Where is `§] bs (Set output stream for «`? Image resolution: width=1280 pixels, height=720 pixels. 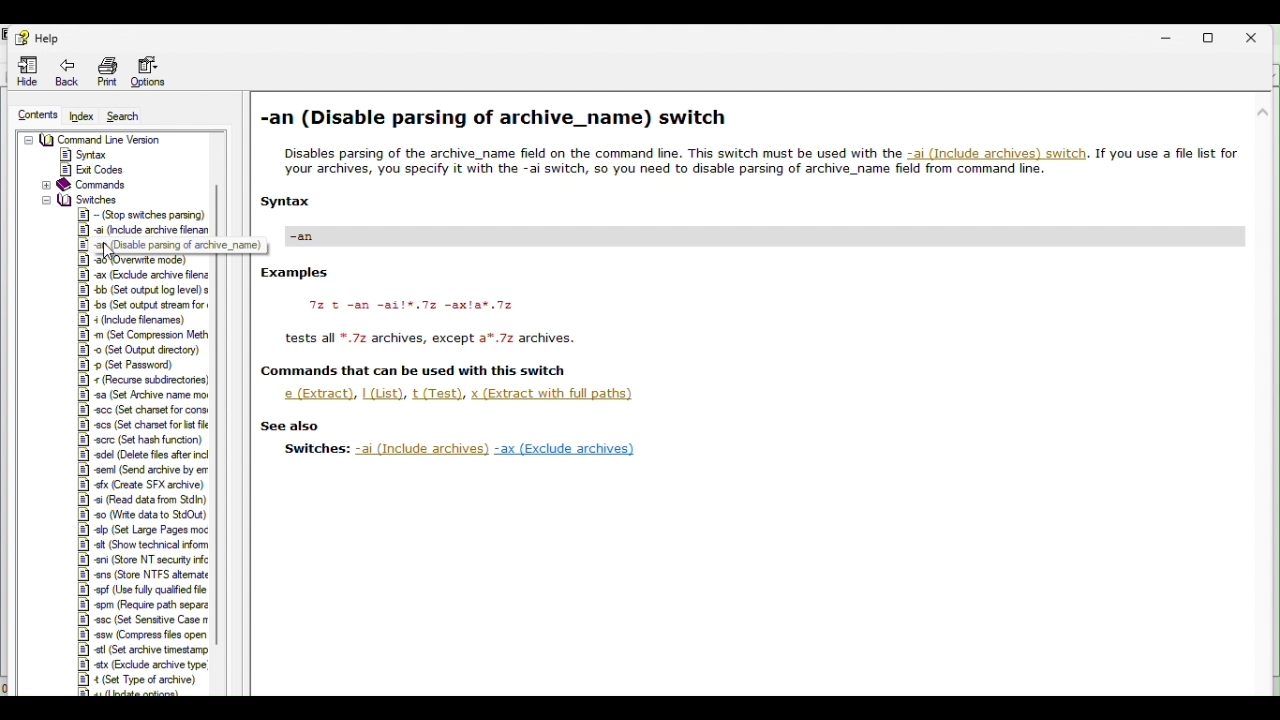
§] bs (Set output stream for « is located at coordinates (142, 304).